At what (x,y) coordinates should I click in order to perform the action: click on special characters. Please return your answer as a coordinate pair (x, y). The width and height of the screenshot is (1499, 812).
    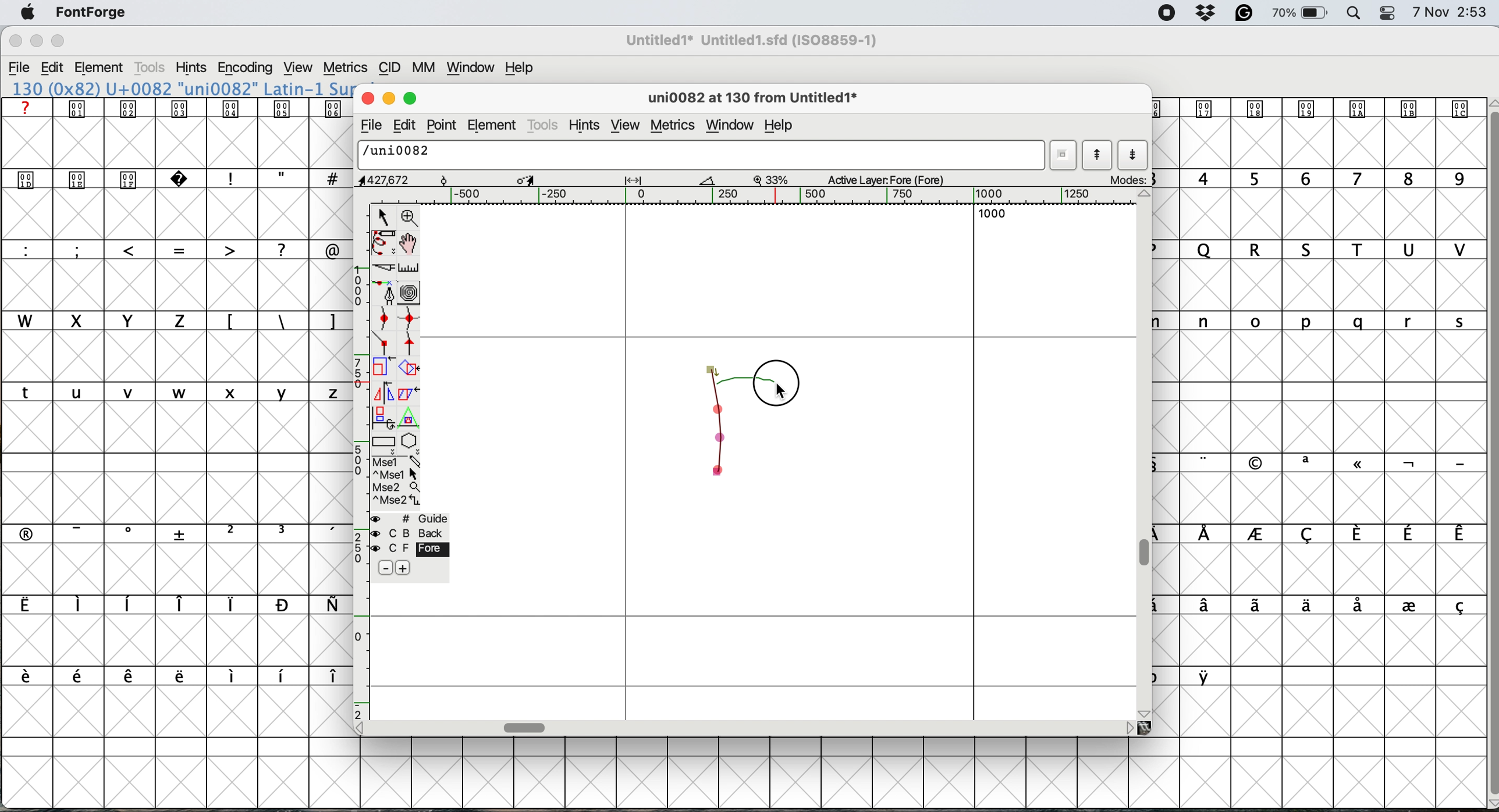
    Looking at the image, I should click on (1319, 606).